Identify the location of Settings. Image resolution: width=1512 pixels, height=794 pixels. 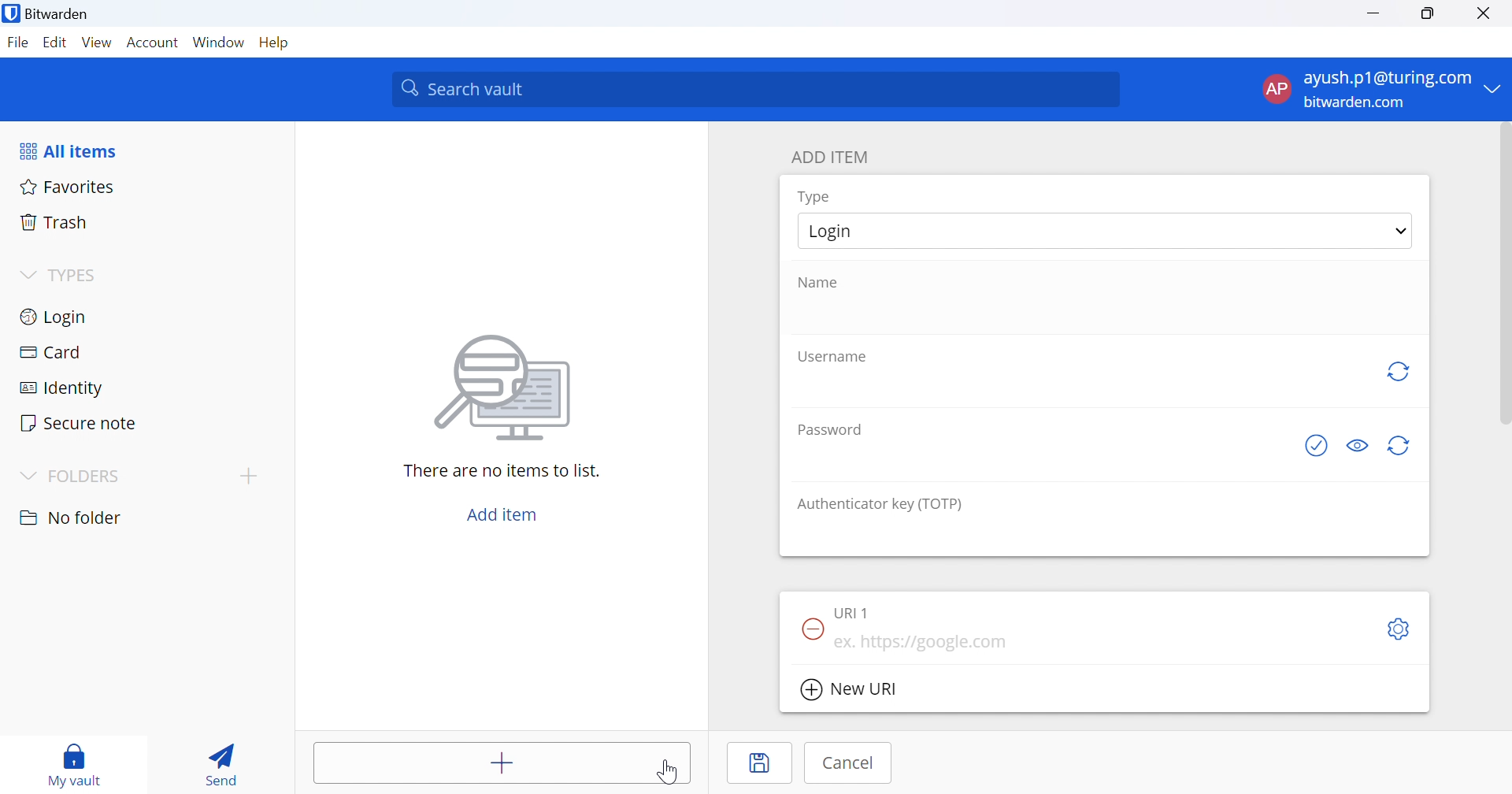
(1401, 629).